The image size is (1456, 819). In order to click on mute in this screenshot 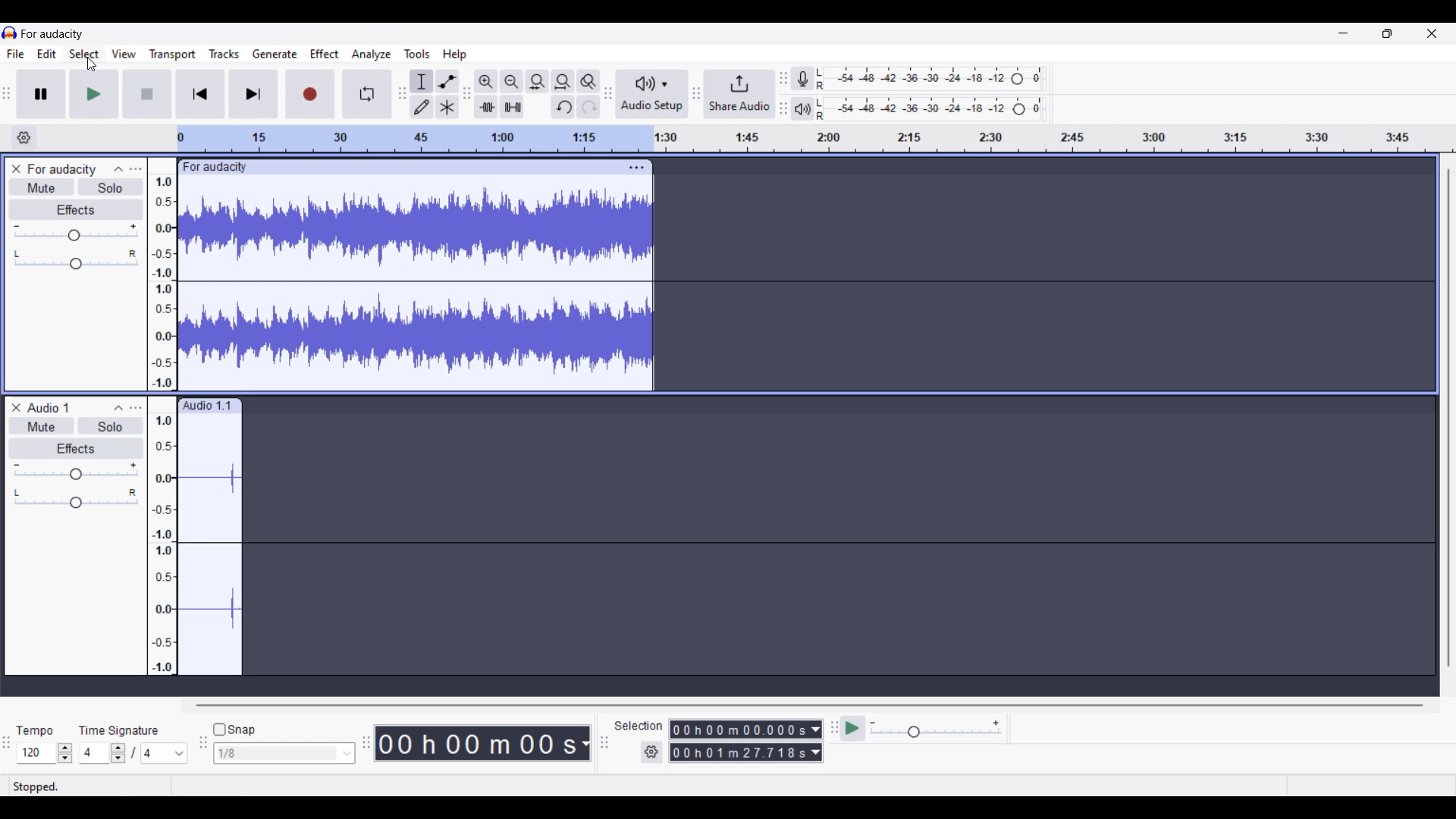, I will do `click(41, 427)`.